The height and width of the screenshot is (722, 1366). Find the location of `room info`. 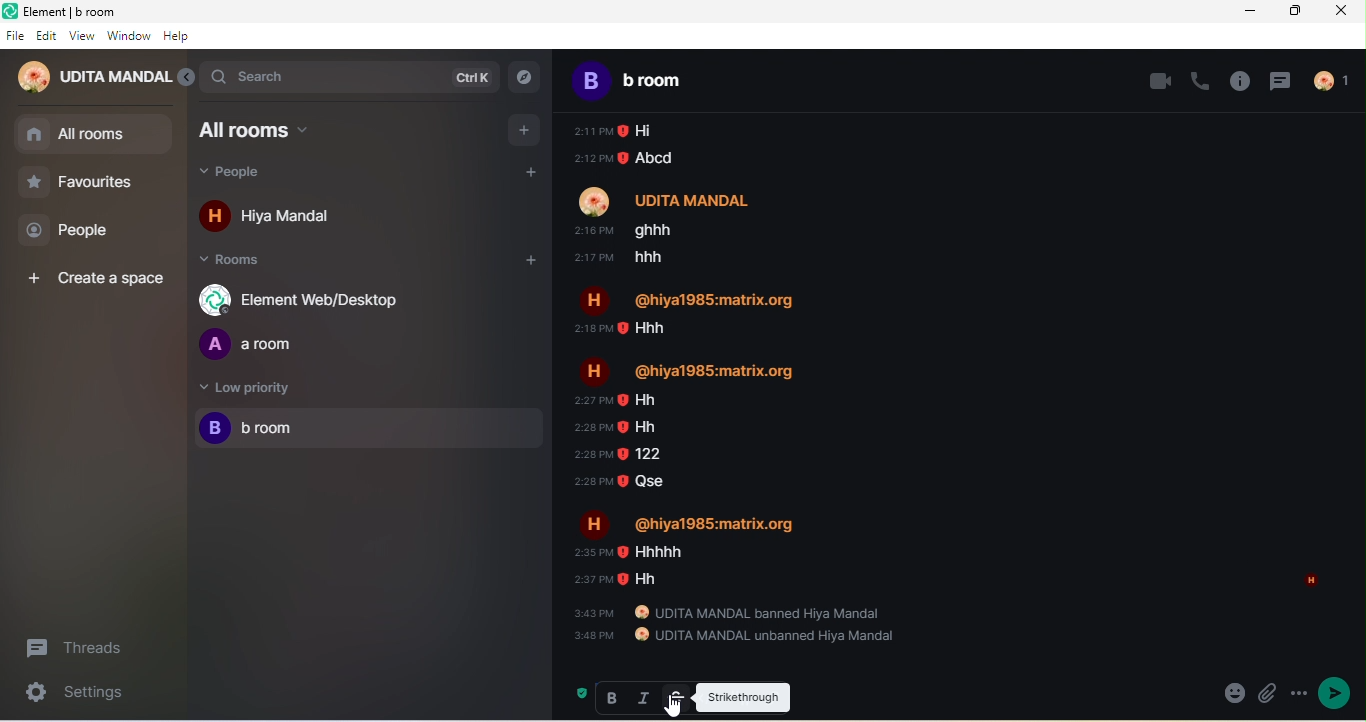

room info is located at coordinates (1241, 81).